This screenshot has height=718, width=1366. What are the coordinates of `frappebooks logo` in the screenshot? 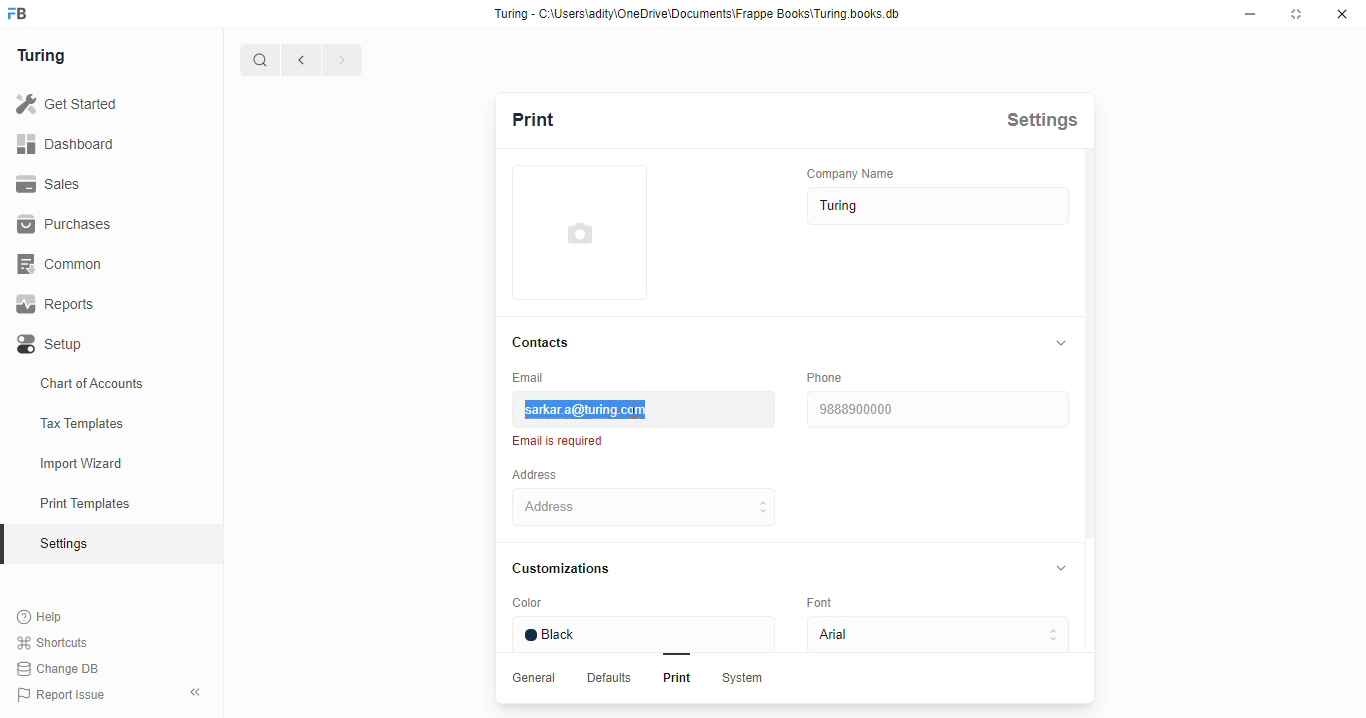 It's located at (26, 14).